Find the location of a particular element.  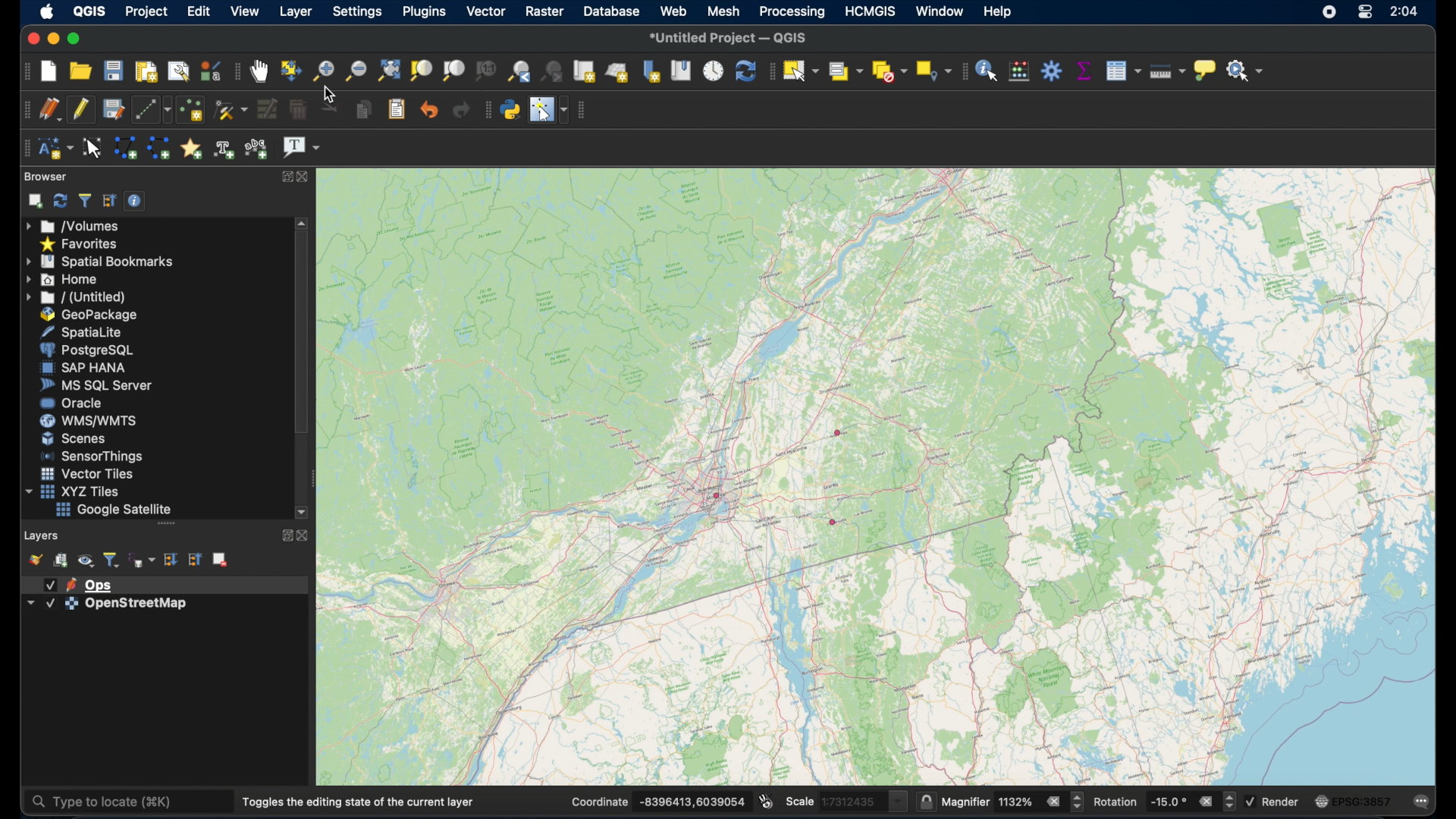

new print layout is located at coordinates (146, 70).